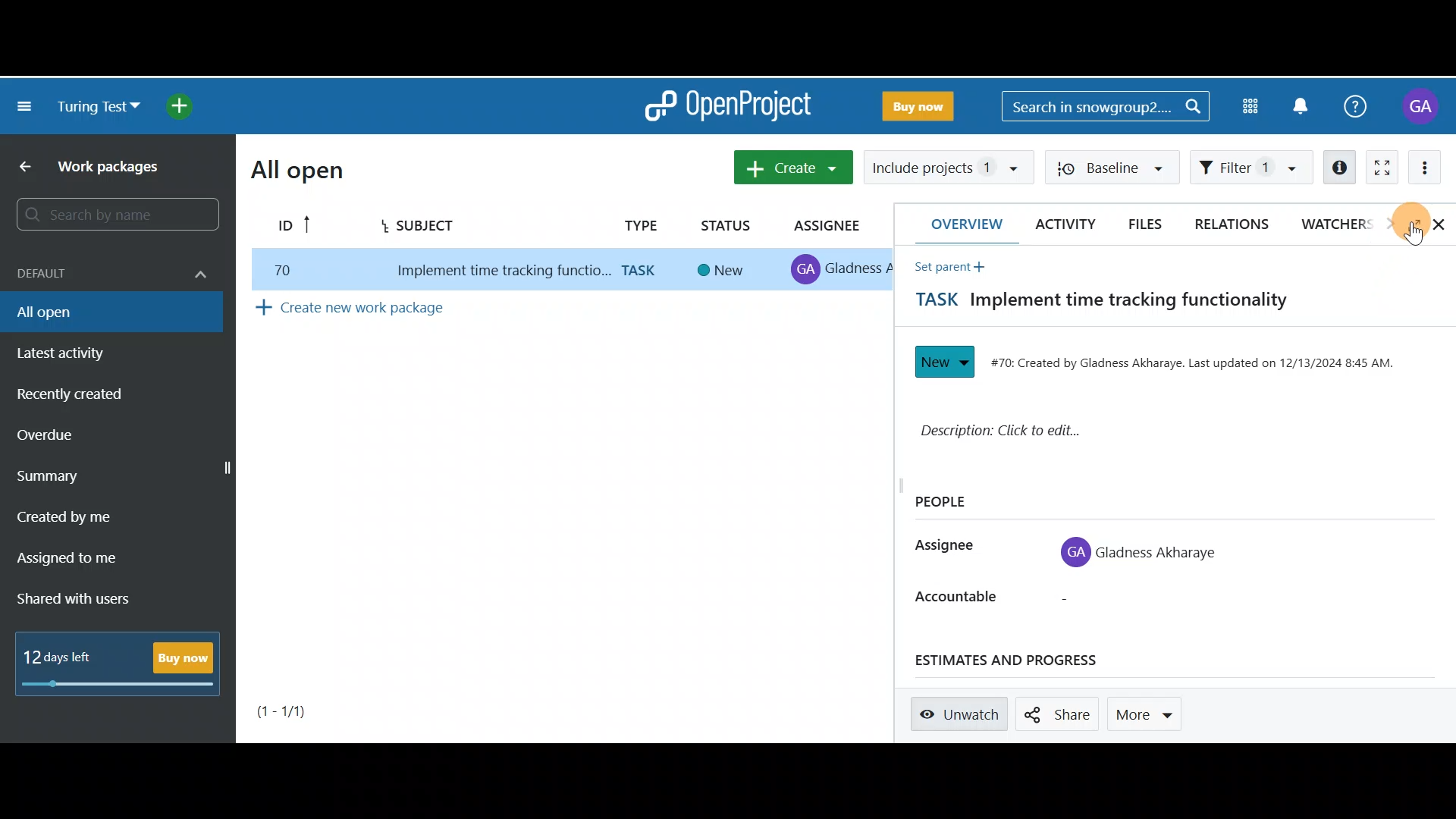 The width and height of the screenshot is (1456, 819). What do you see at coordinates (1071, 227) in the screenshot?
I see `Activity` at bounding box center [1071, 227].